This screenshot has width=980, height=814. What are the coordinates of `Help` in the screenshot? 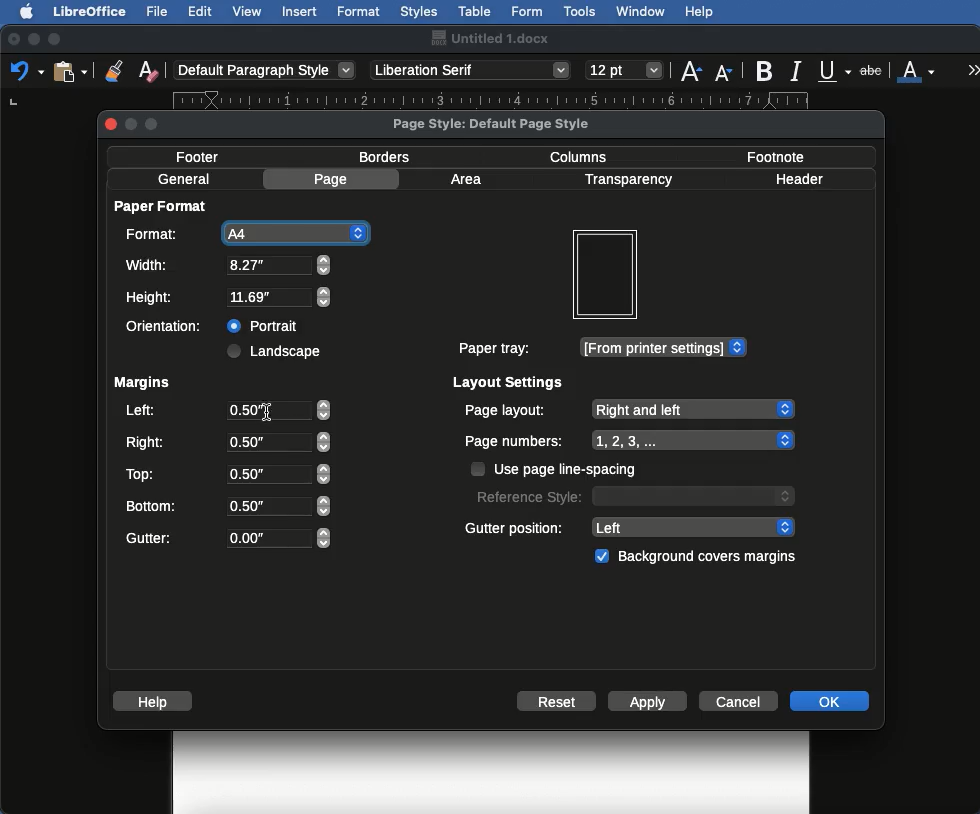 It's located at (156, 701).